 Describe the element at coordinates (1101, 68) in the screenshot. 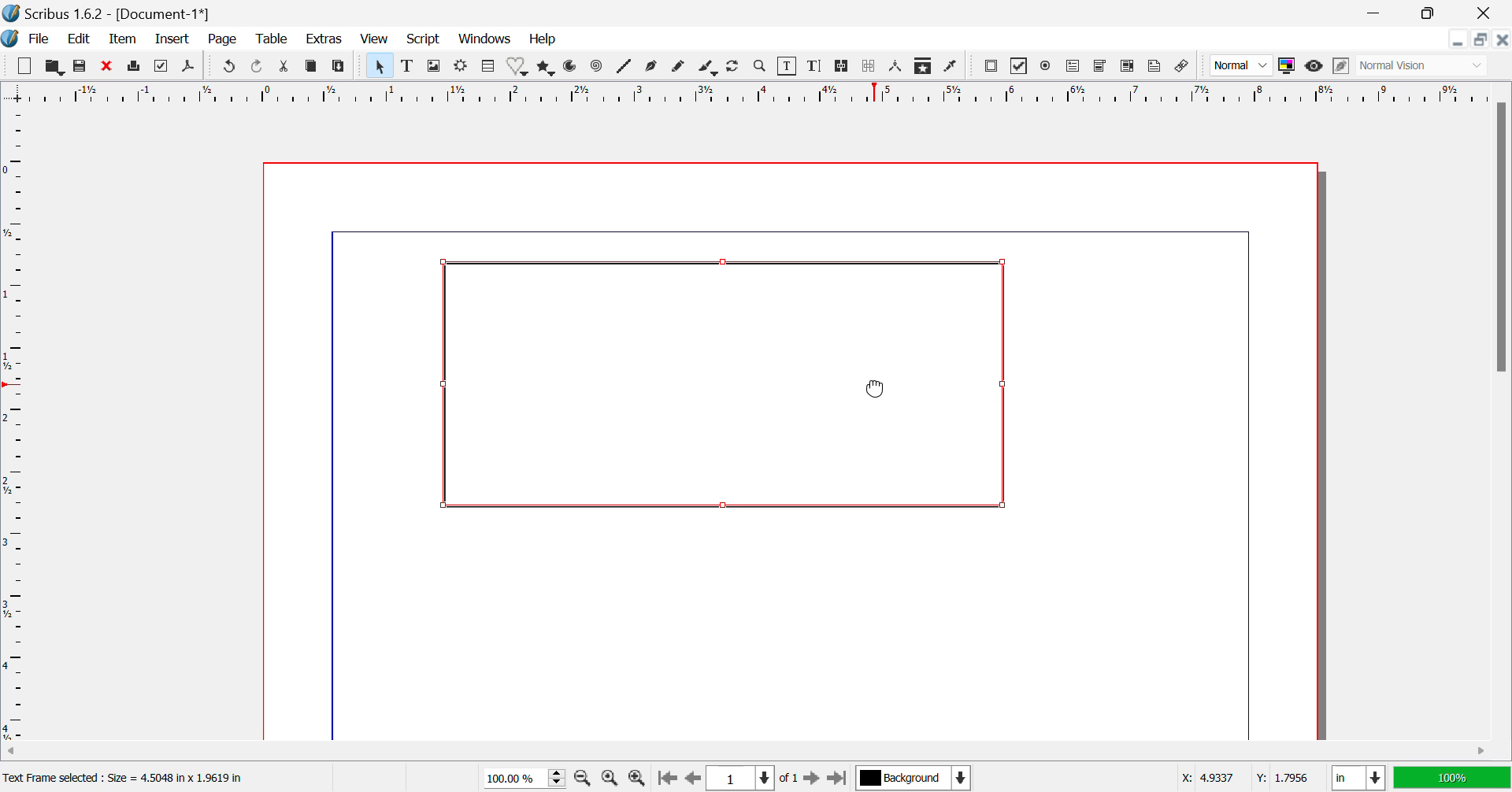

I see `Pdf Combo box` at that location.